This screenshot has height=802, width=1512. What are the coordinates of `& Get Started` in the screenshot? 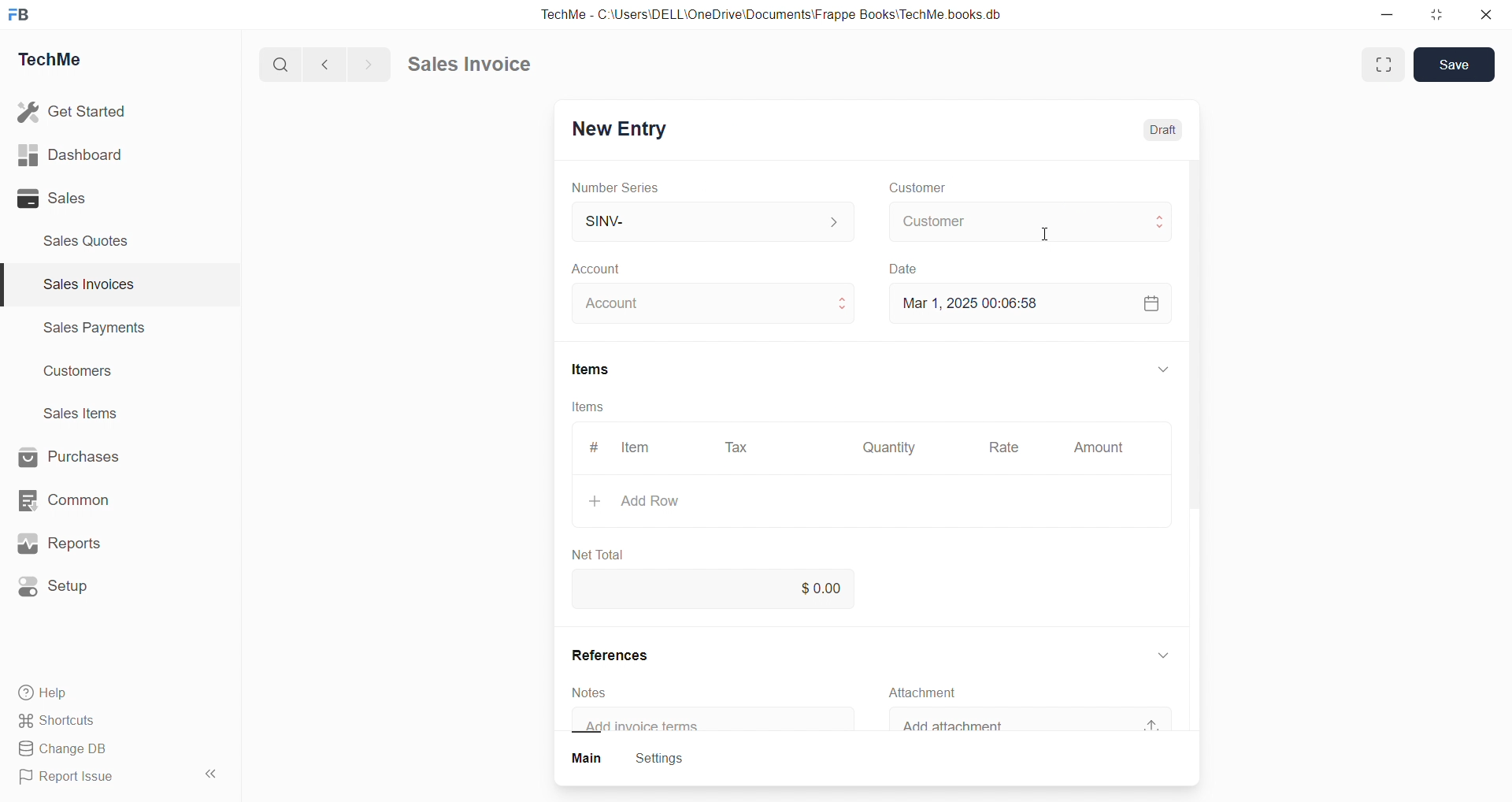 It's located at (74, 110).